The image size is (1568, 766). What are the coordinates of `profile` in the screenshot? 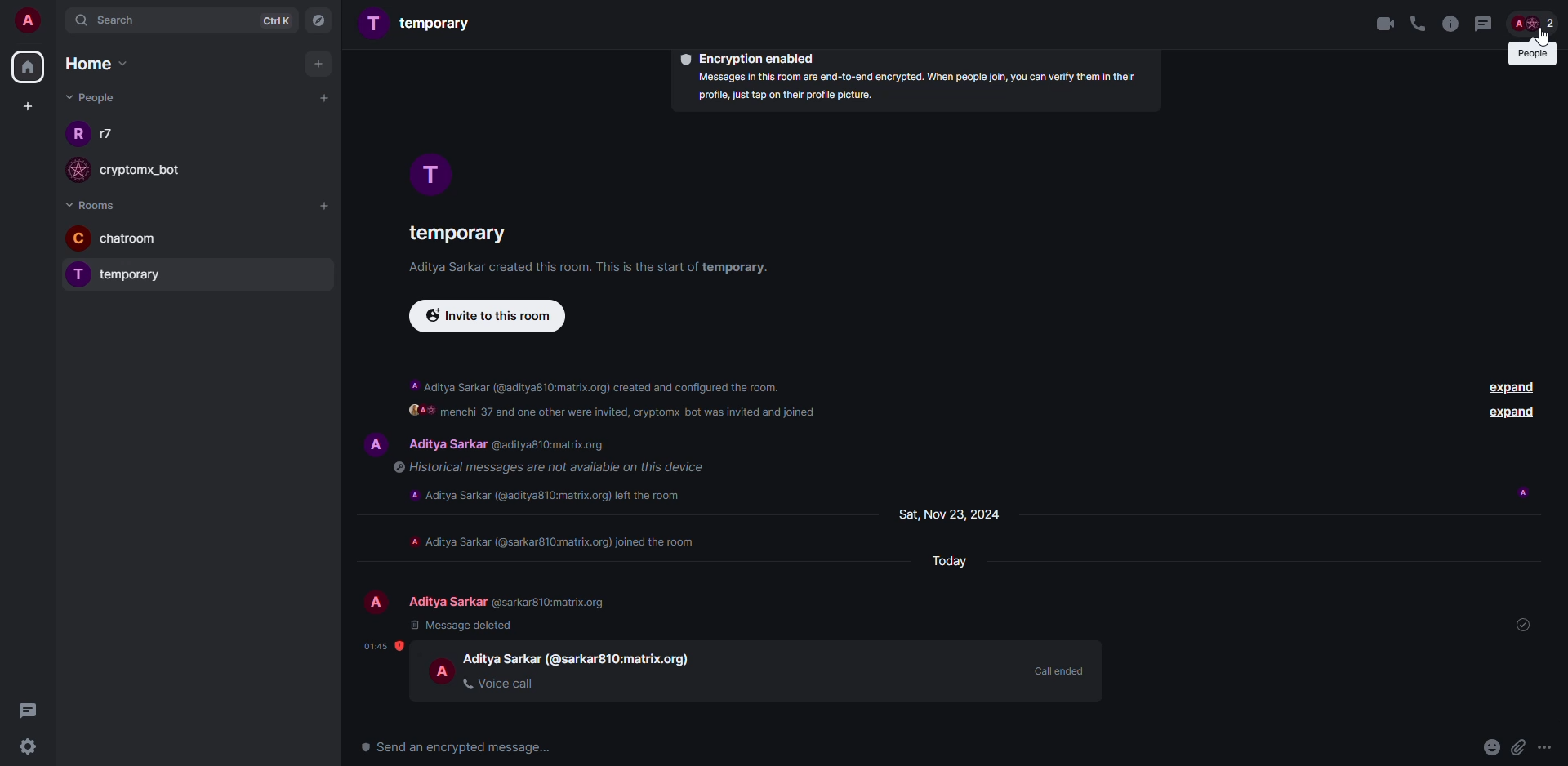 It's located at (430, 175).